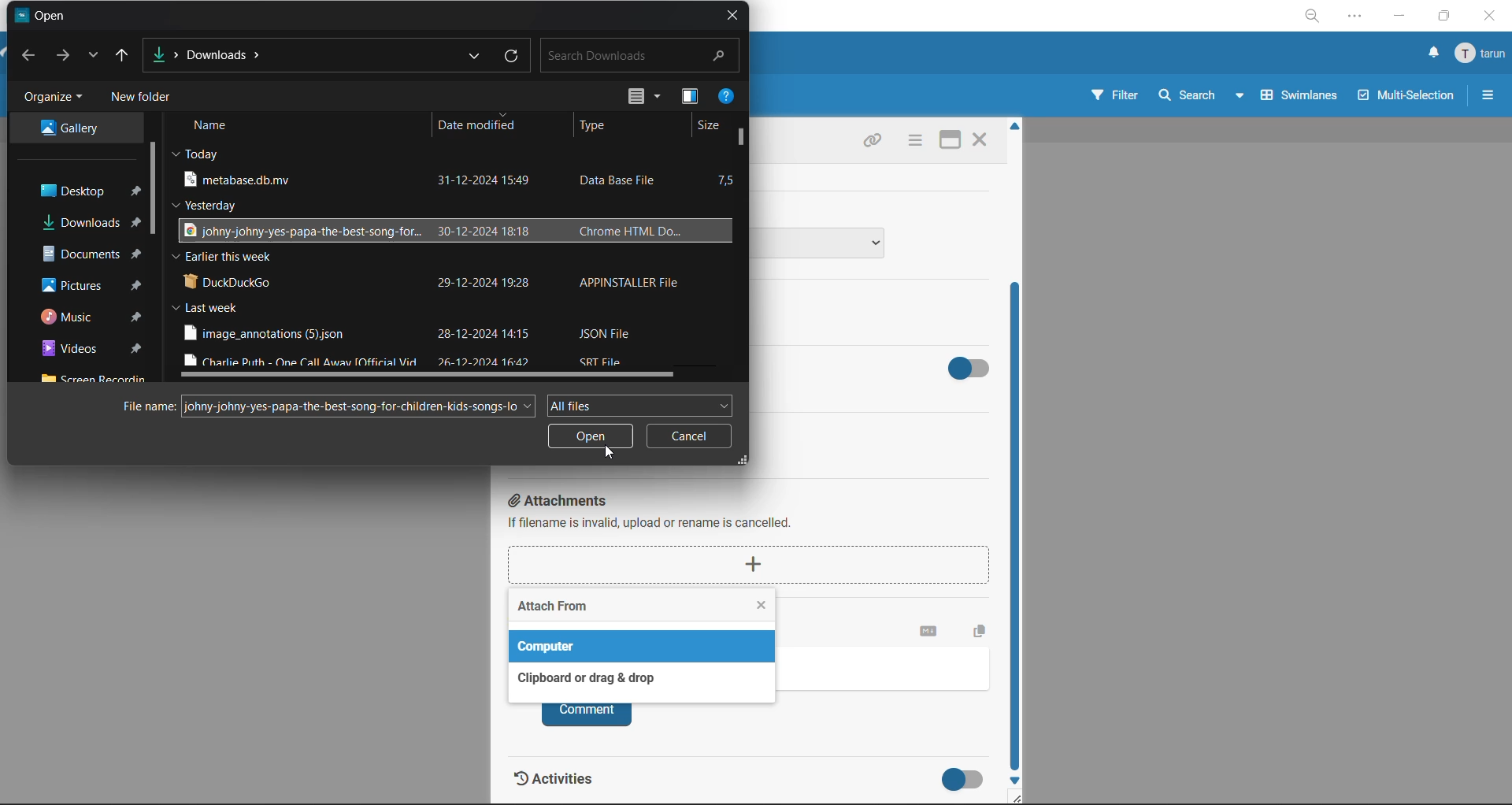 The width and height of the screenshot is (1512, 805). I want to click on all files, so click(639, 403).